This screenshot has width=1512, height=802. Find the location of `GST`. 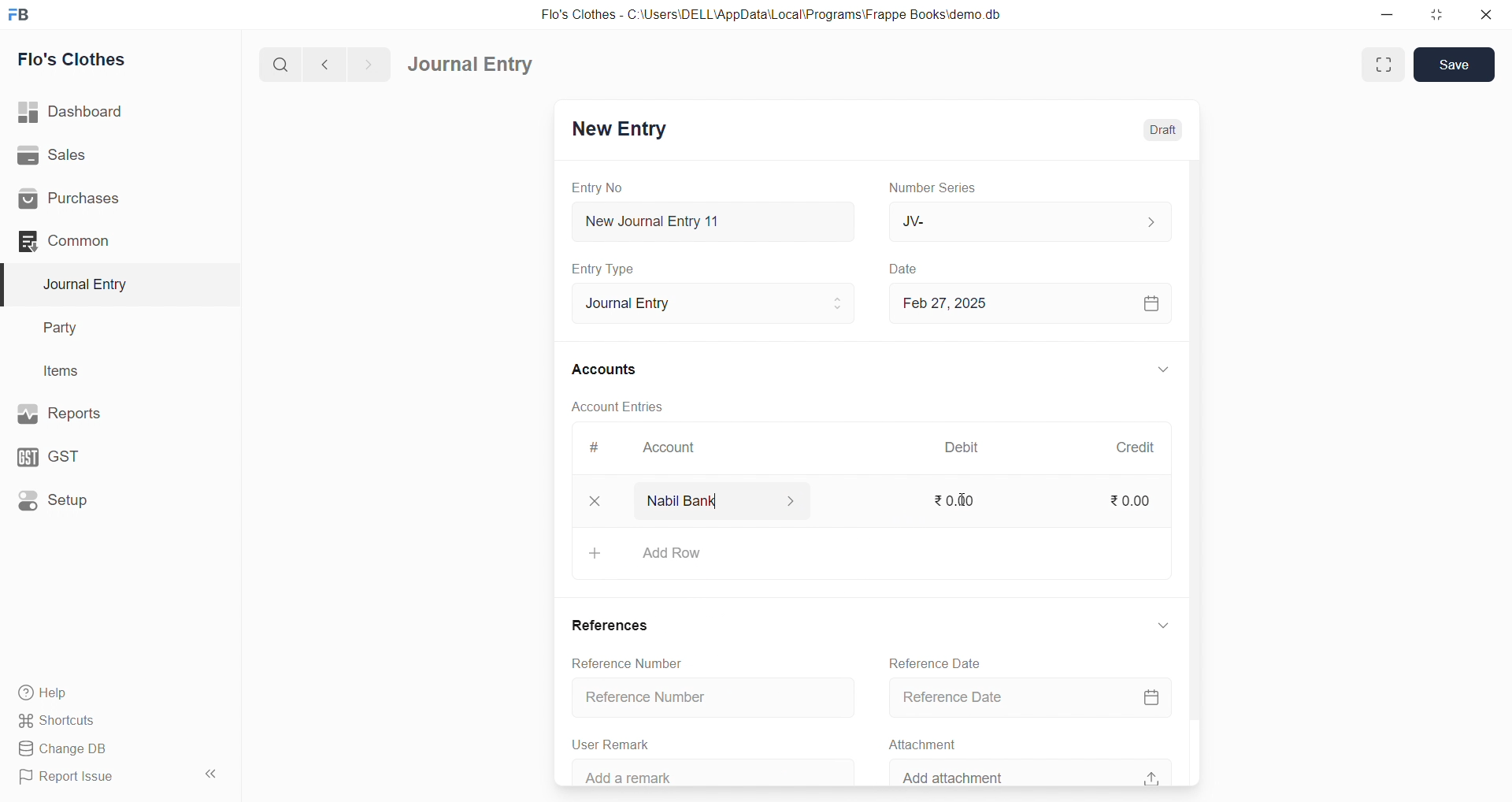

GST is located at coordinates (86, 457).